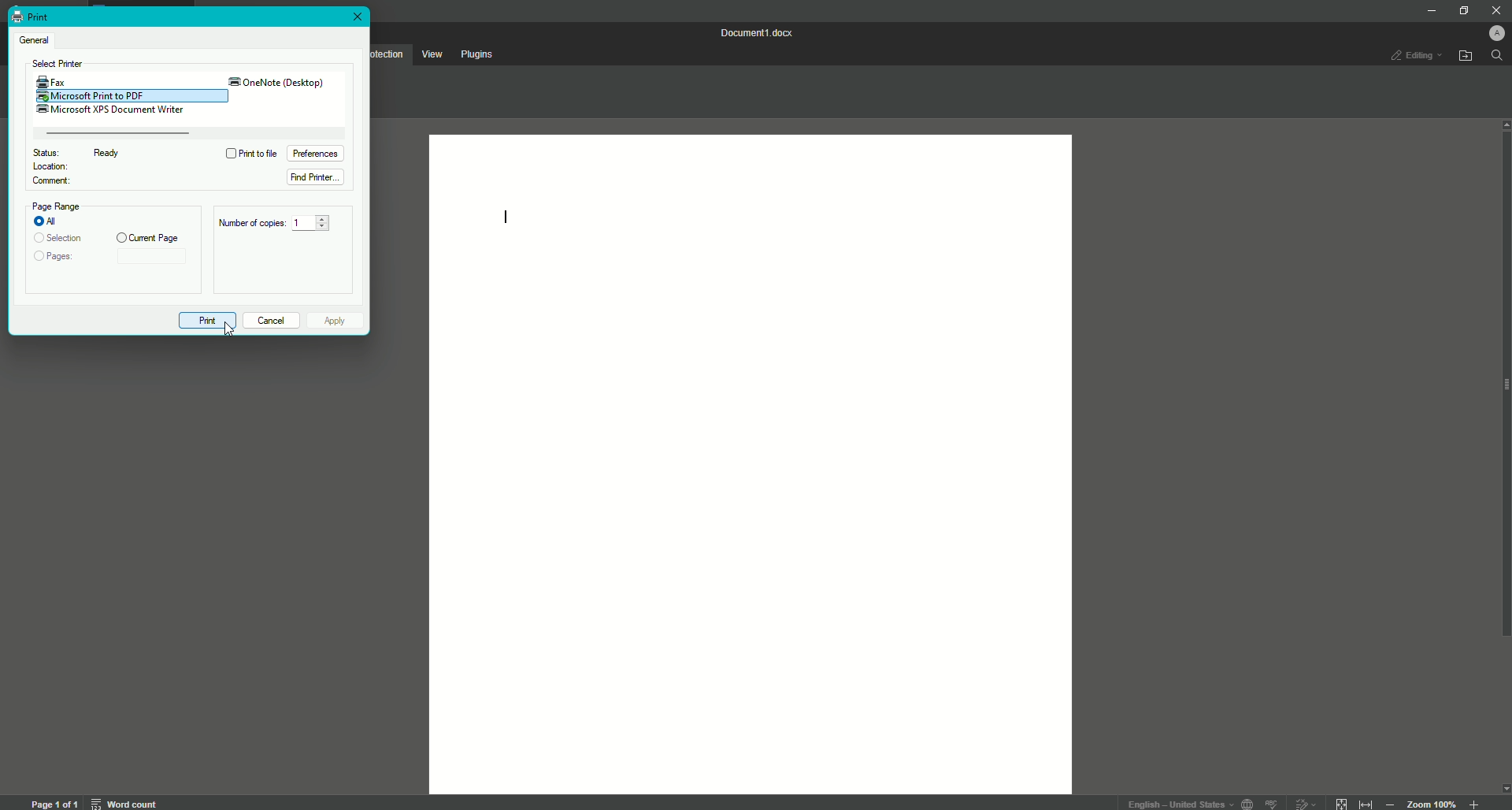 The width and height of the screenshot is (1512, 810). Describe the element at coordinates (58, 236) in the screenshot. I see `selection` at that location.